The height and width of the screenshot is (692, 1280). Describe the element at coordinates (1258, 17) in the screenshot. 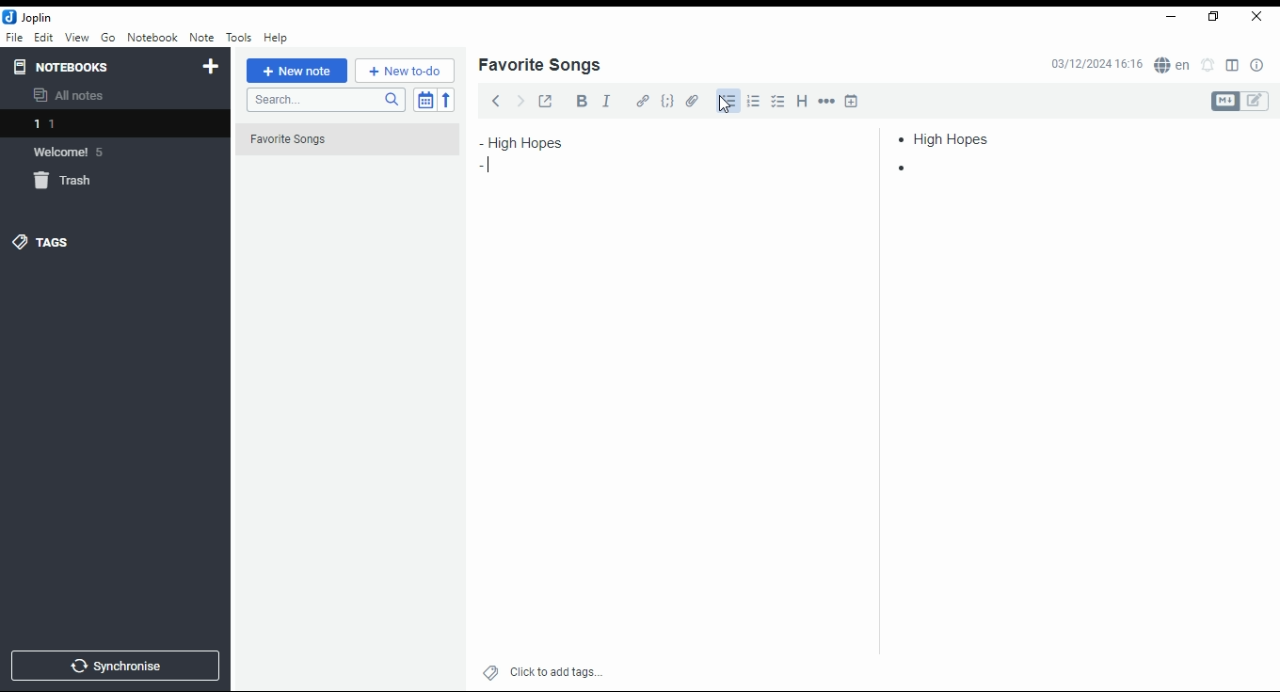

I see `close window` at that location.